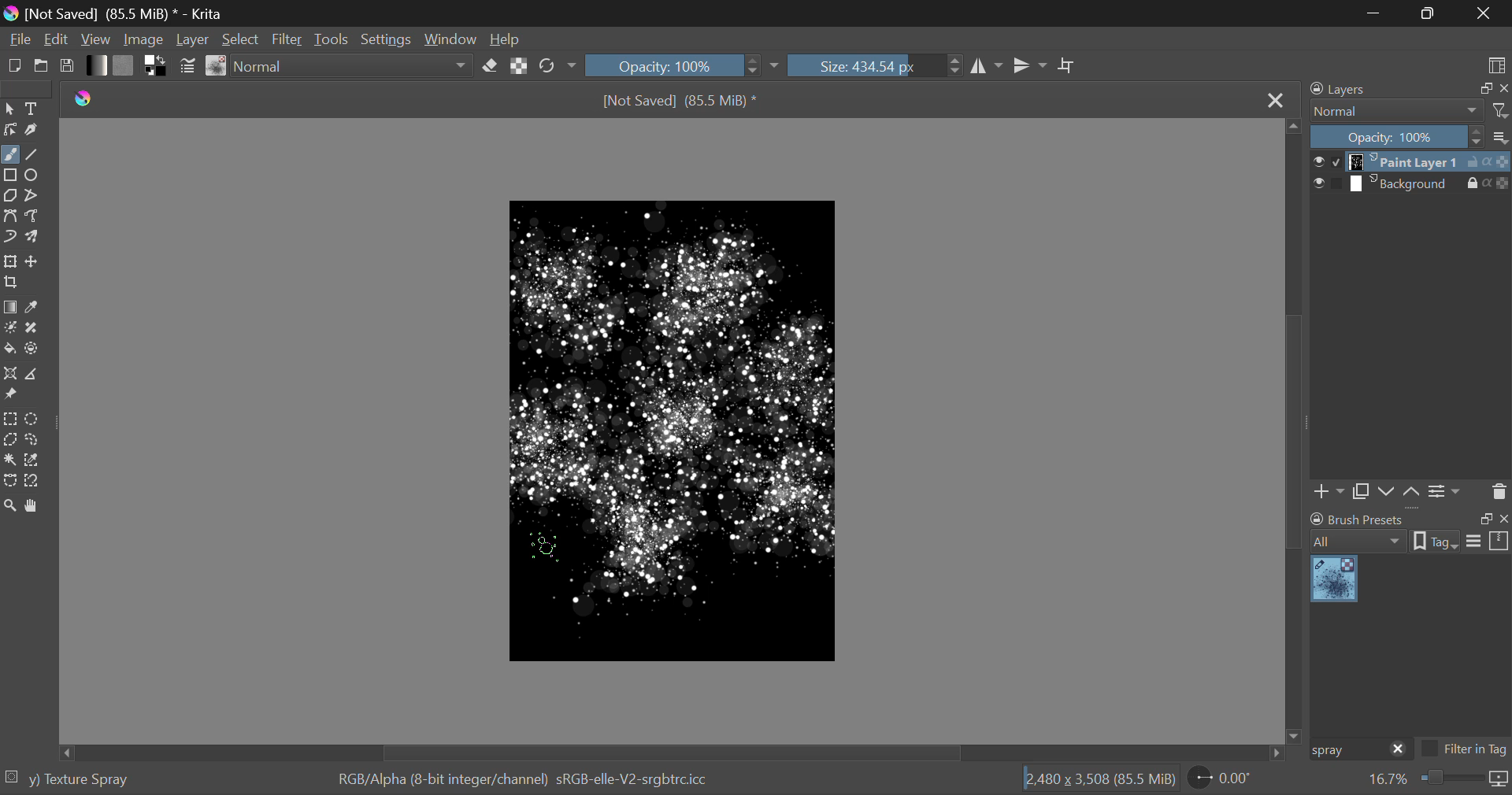 This screenshot has width=1512, height=795. Describe the element at coordinates (98, 39) in the screenshot. I see `View` at that location.